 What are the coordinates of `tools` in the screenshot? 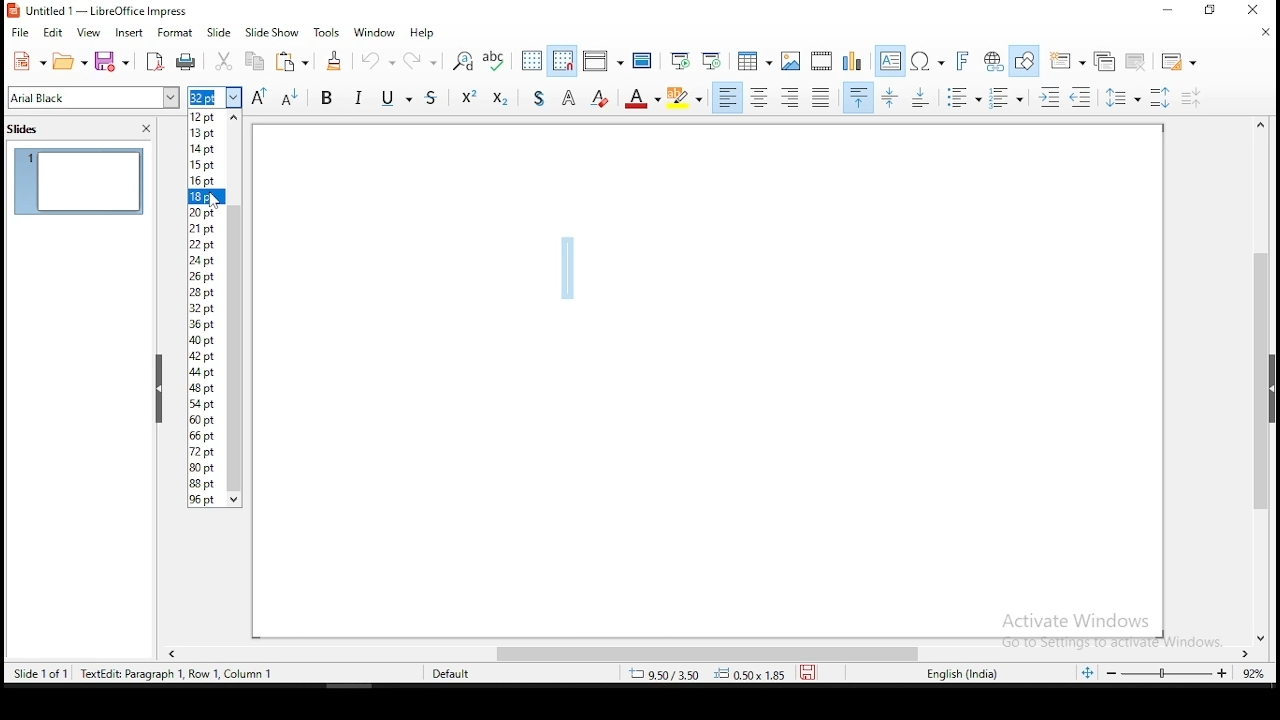 It's located at (328, 31).